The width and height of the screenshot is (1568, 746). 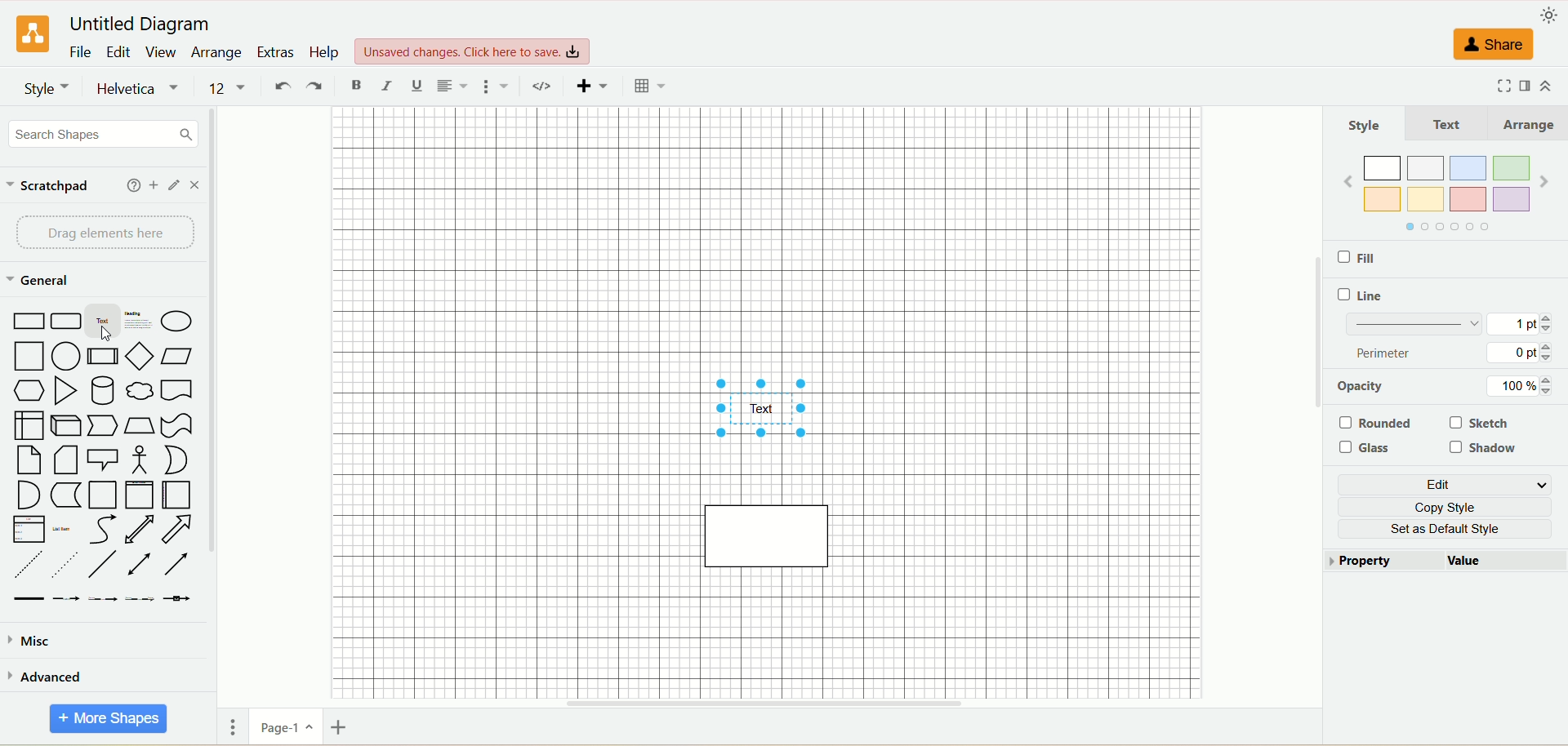 I want to click on Cursor, so click(x=113, y=334).